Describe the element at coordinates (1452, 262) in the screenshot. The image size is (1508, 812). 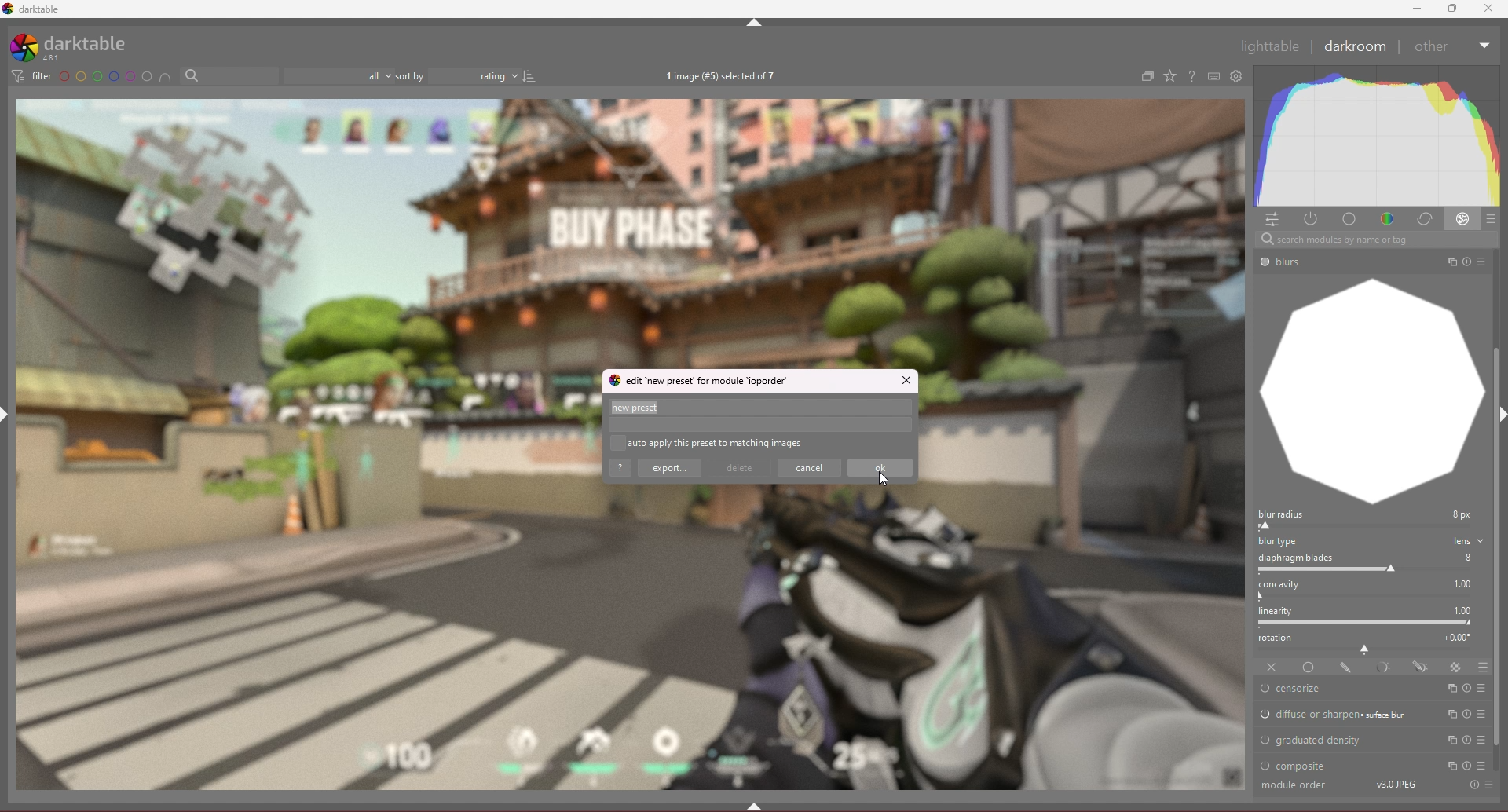
I see `` at that location.